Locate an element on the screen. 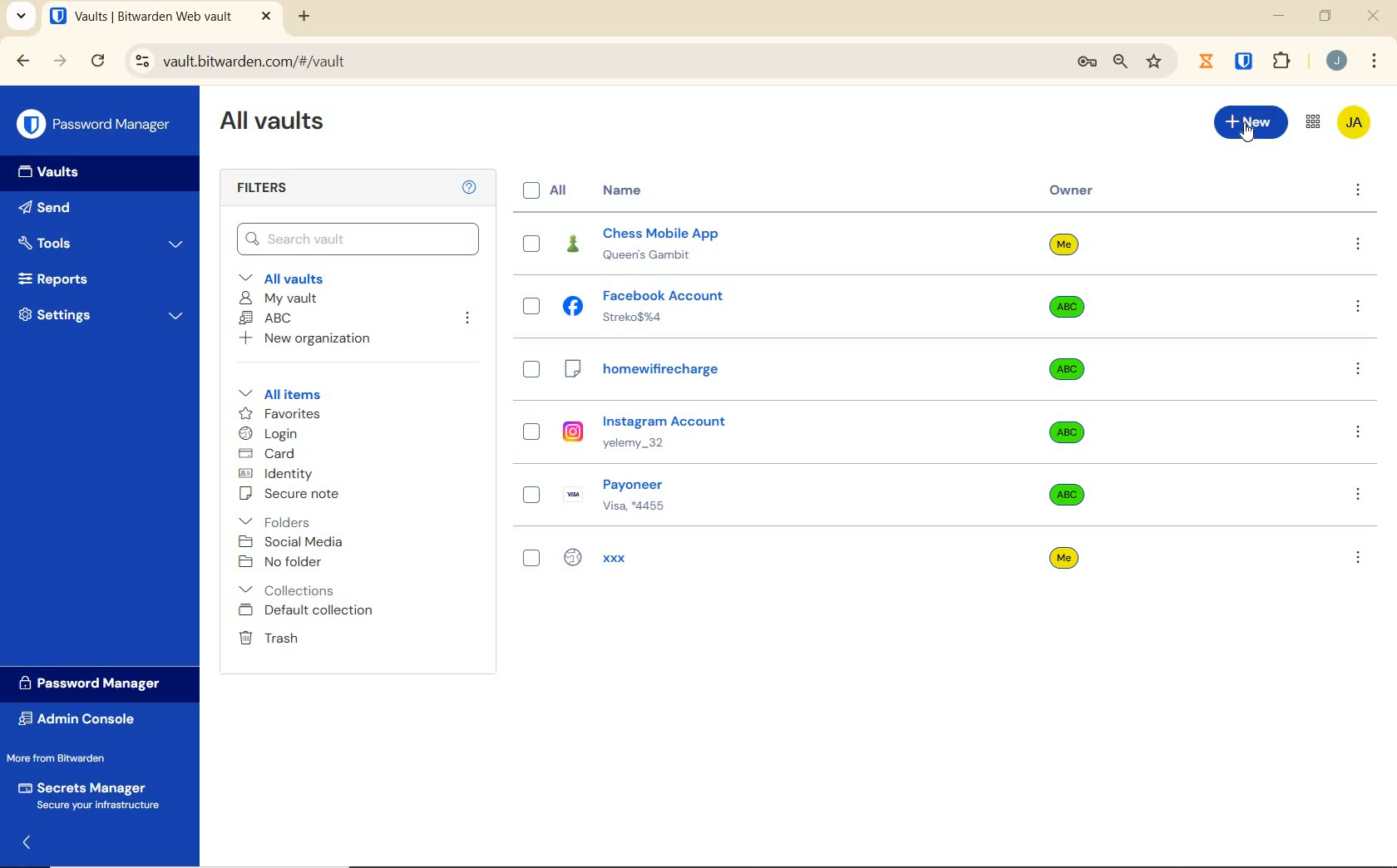 This screenshot has height=868, width=1397. All items is located at coordinates (281, 394).